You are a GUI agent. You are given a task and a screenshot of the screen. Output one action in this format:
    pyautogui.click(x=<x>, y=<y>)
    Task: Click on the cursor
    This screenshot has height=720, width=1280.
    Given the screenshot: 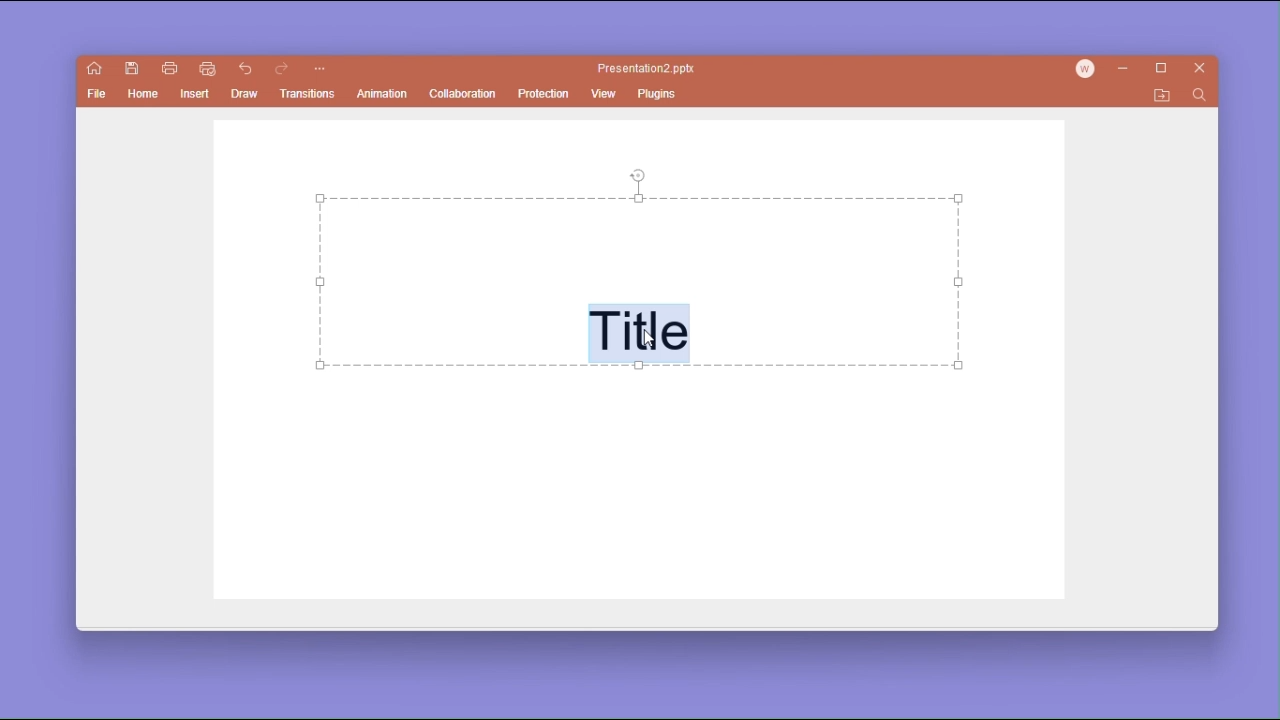 What is the action you would take?
    pyautogui.click(x=651, y=341)
    